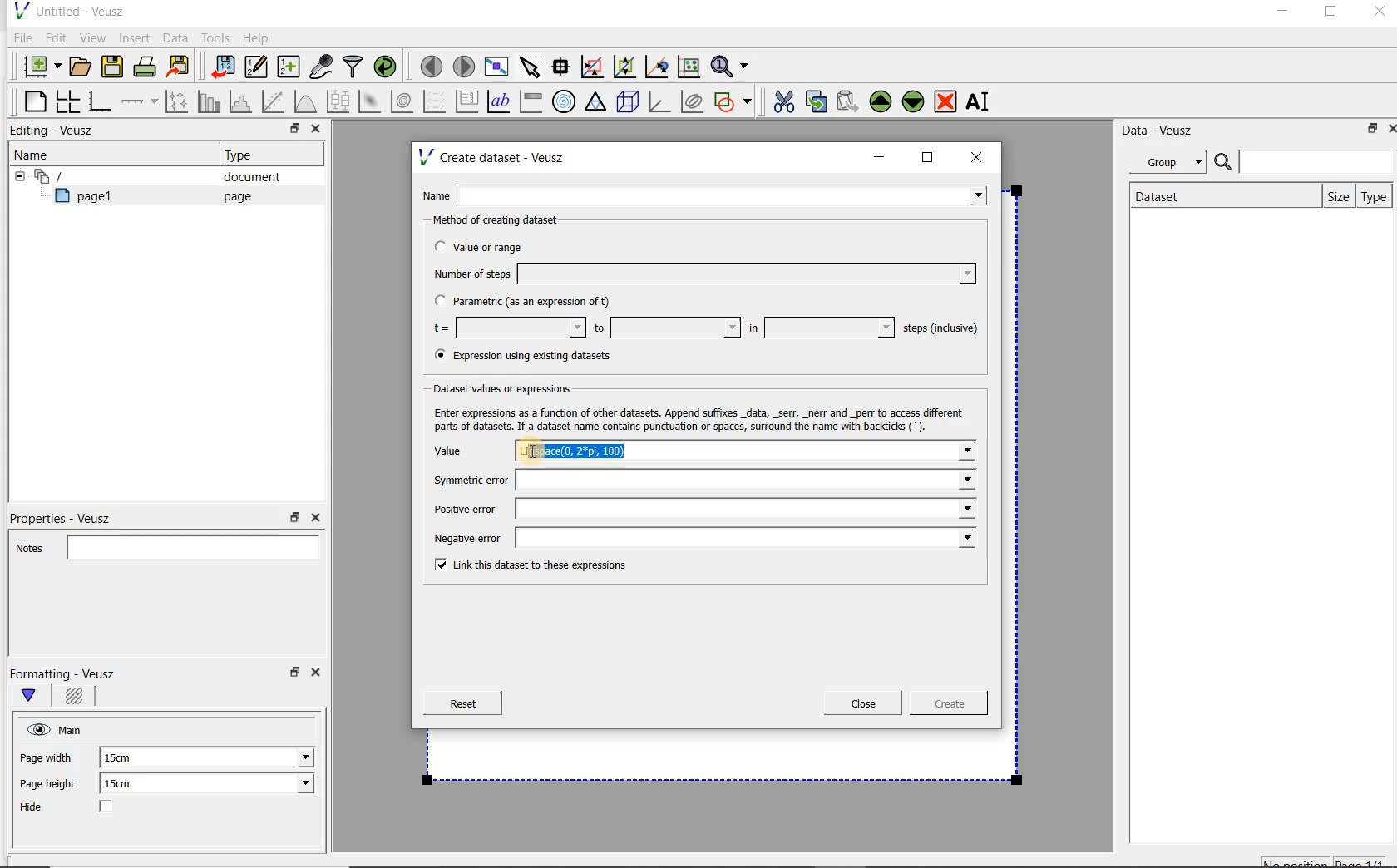 This screenshot has width=1397, height=868. Describe the element at coordinates (535, 356) in the screenshot. I see `(® Expression using existing datasets` at that location.